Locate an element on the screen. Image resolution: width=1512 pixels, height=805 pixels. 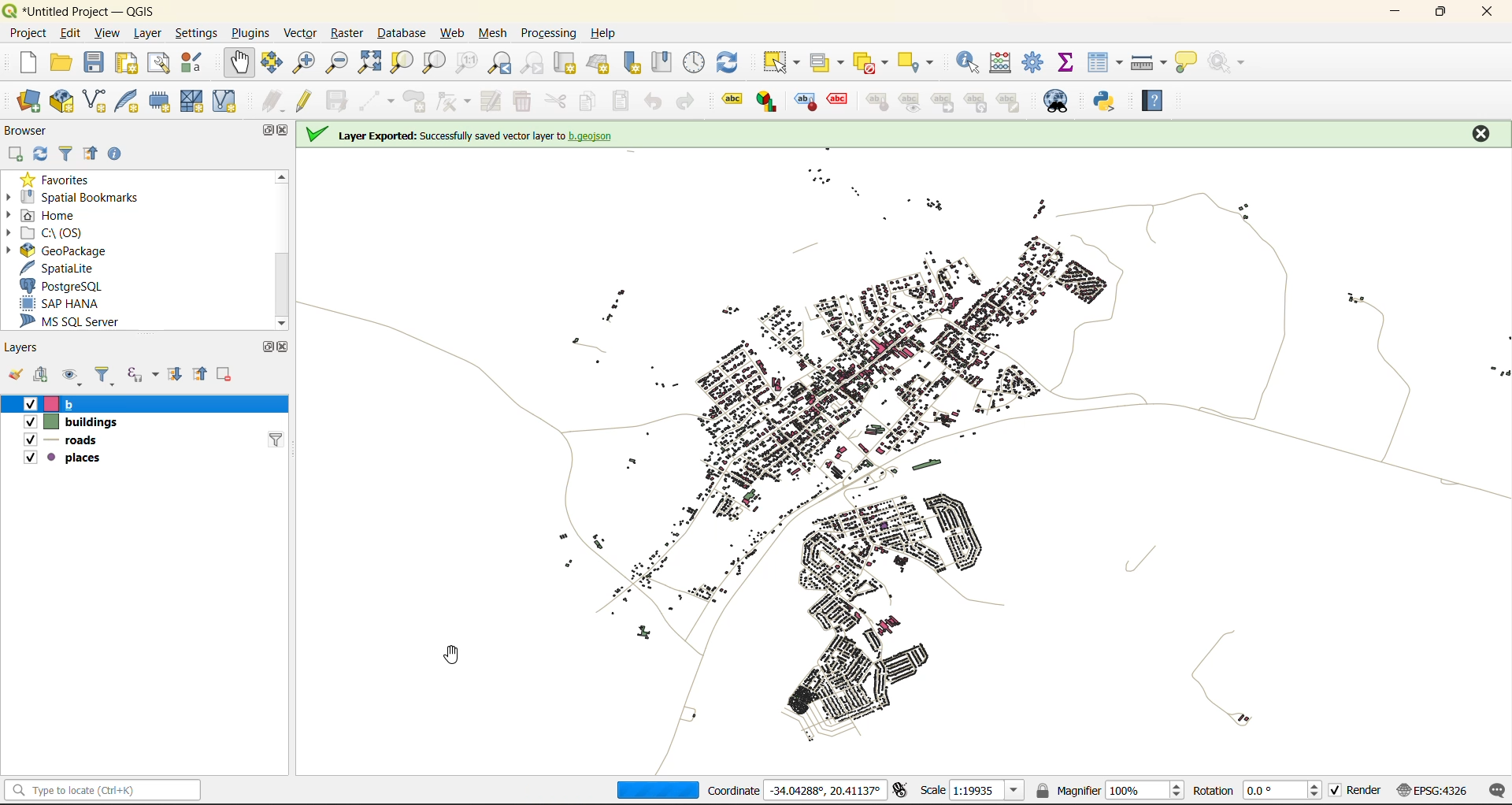
collapse all is located at coordinates (91, 152).